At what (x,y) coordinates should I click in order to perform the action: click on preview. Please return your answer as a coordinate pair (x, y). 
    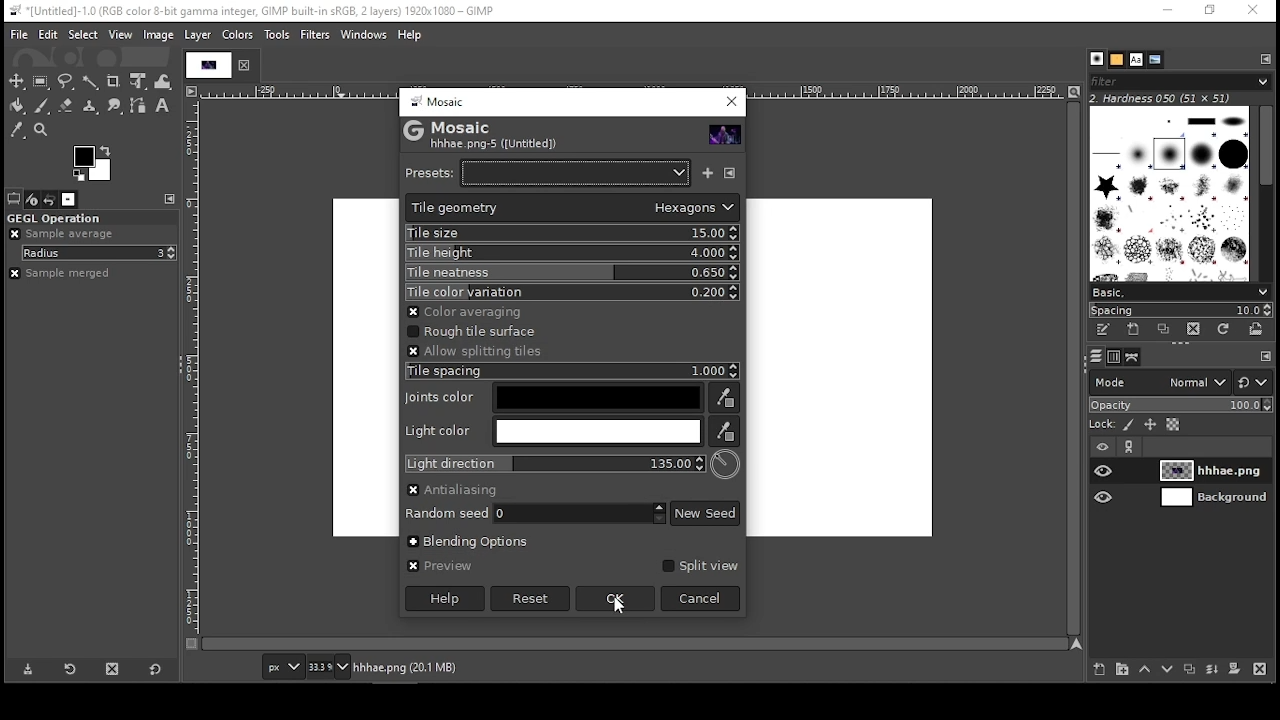
    Looking at the image, I should click on (446, 566).